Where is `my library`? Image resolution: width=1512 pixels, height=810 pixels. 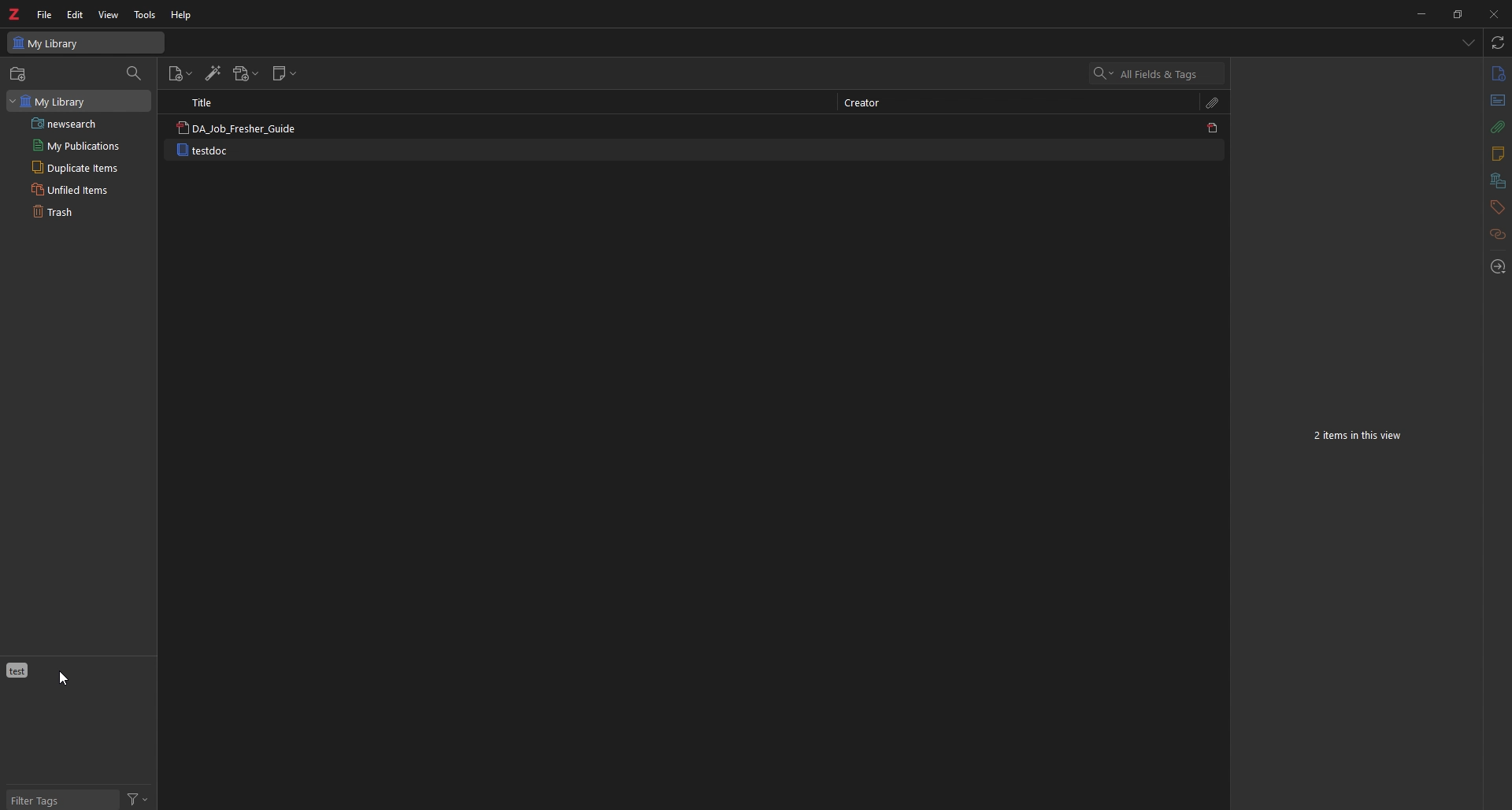
my library is located at coordinates (79, 101).